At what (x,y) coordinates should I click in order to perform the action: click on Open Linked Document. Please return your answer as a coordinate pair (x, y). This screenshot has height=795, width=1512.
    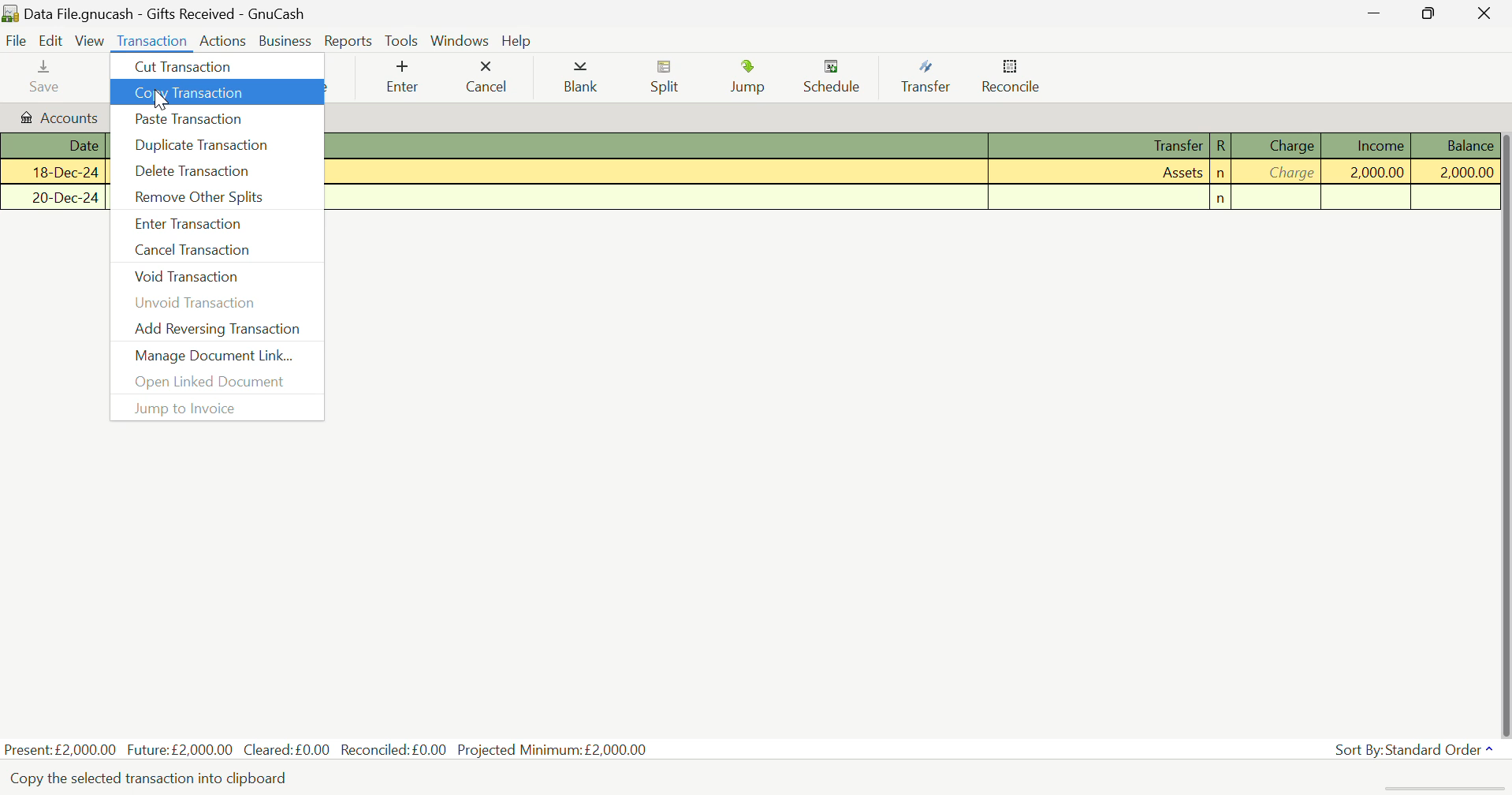
    Looking at the image, I should click on (213, 380).